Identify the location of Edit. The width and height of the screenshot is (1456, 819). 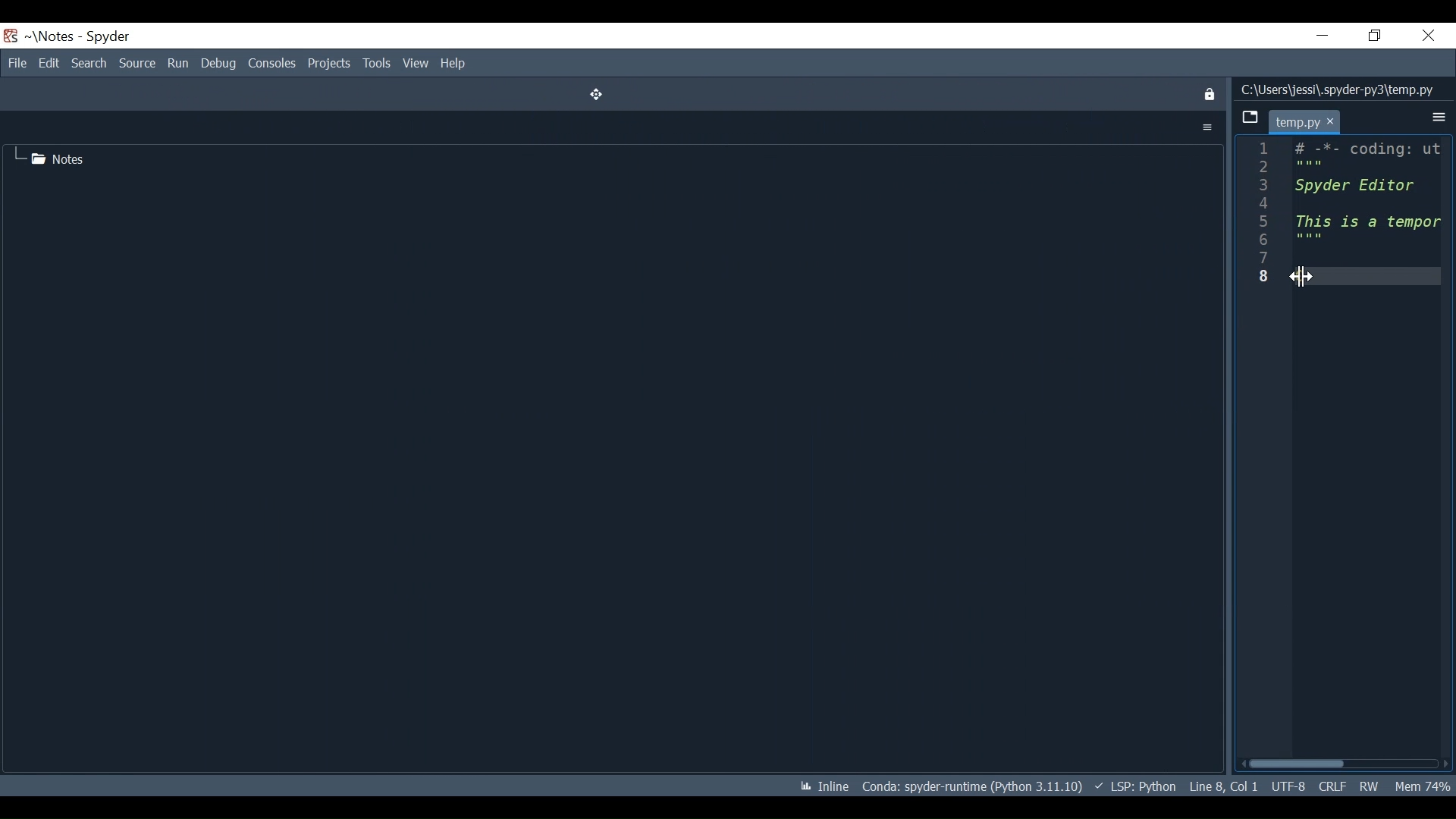
(47, 63).